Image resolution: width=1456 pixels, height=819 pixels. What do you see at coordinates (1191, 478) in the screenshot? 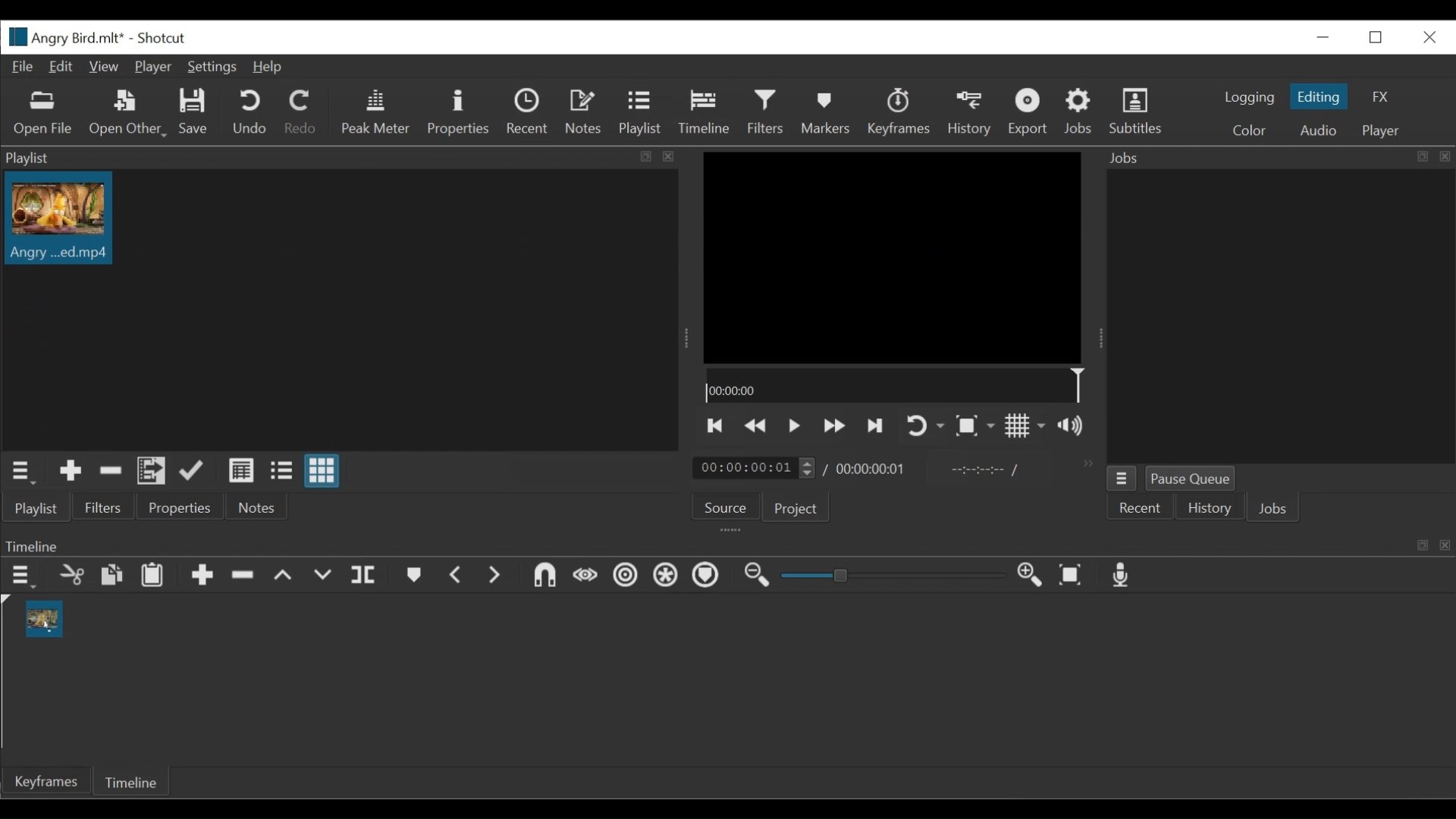
I see `Pause Queue` at bounding box center [1191, 478].